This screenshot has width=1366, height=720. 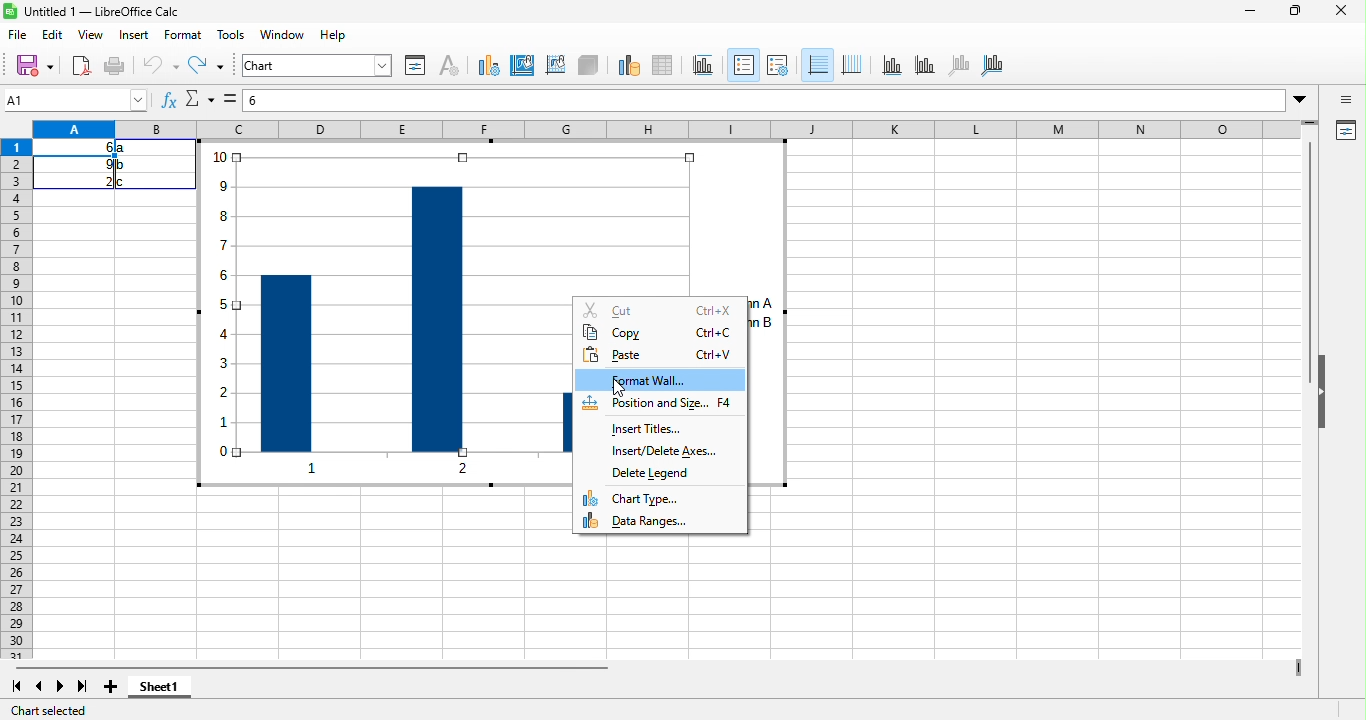 I want to click on maximize, so click(x=1294, y=12).